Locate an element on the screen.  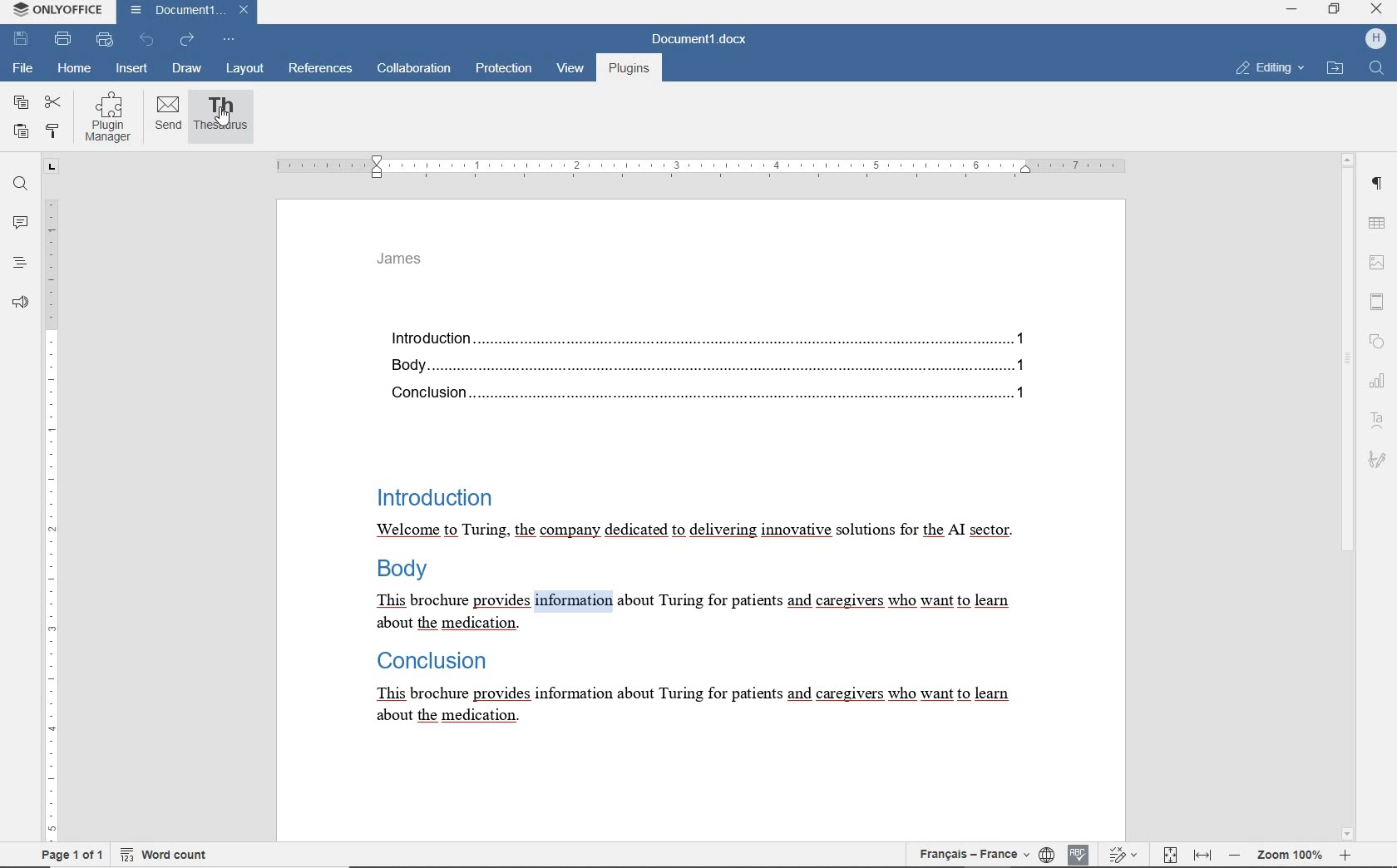
DRAW is located at coordinates (187, 68).